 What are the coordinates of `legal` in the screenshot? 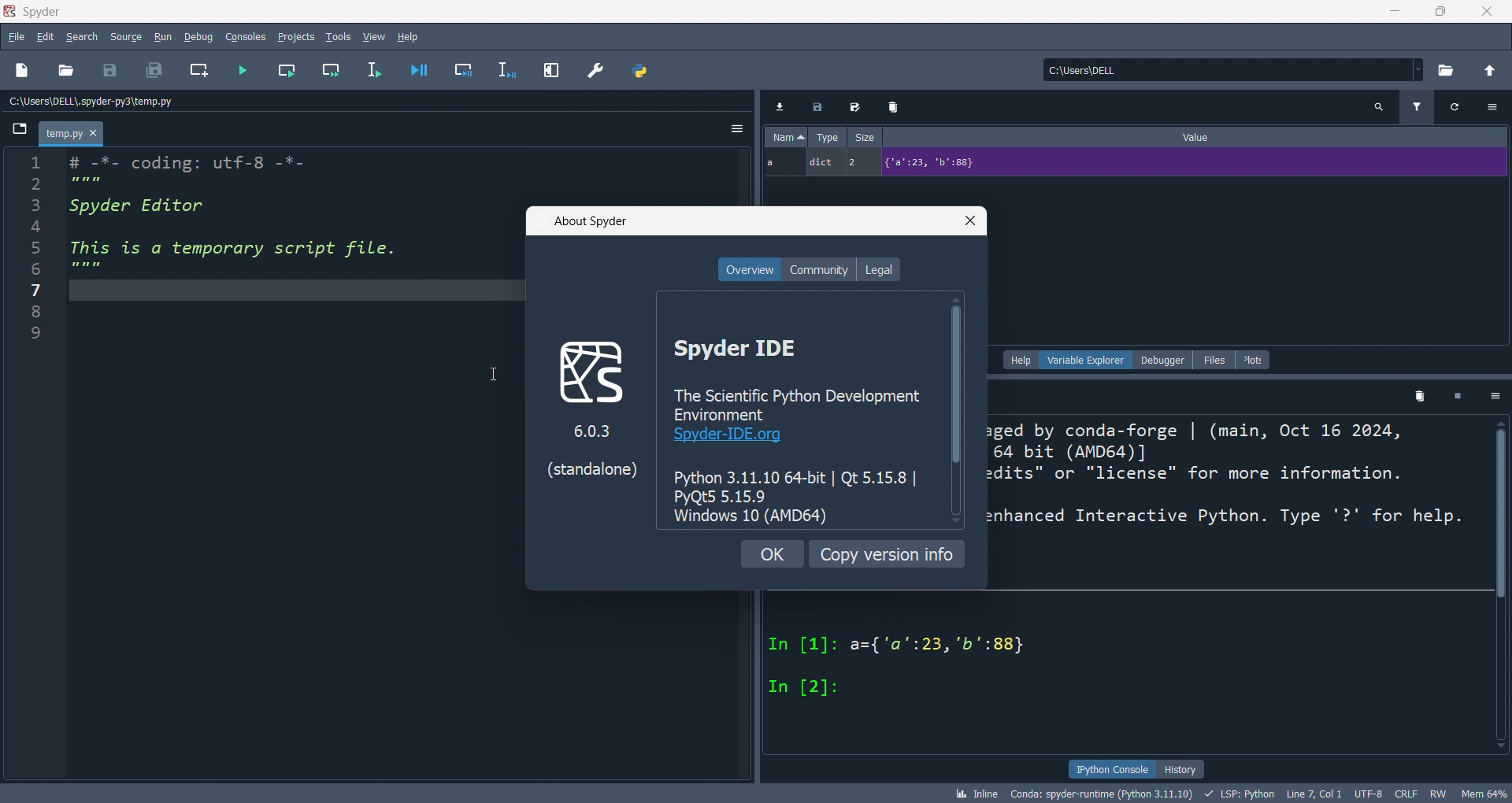 It's located at (879, 268).